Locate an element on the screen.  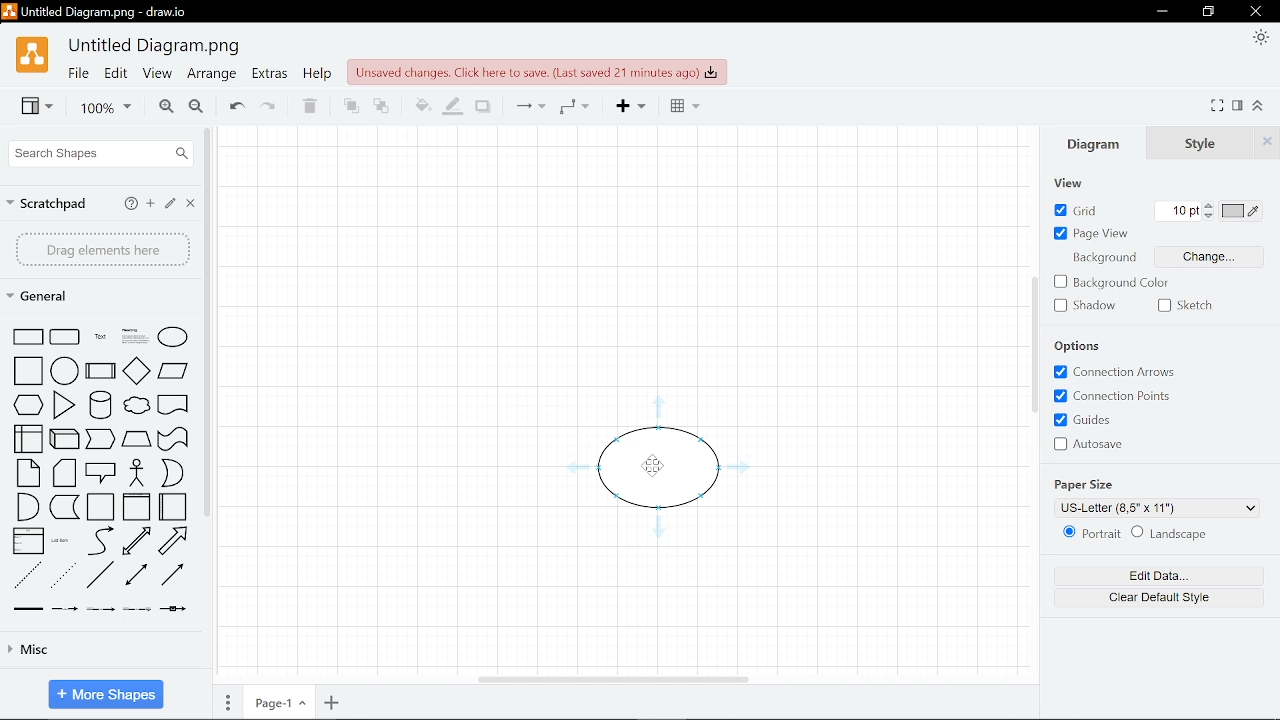
Undo is located at coordinates (233, 104).